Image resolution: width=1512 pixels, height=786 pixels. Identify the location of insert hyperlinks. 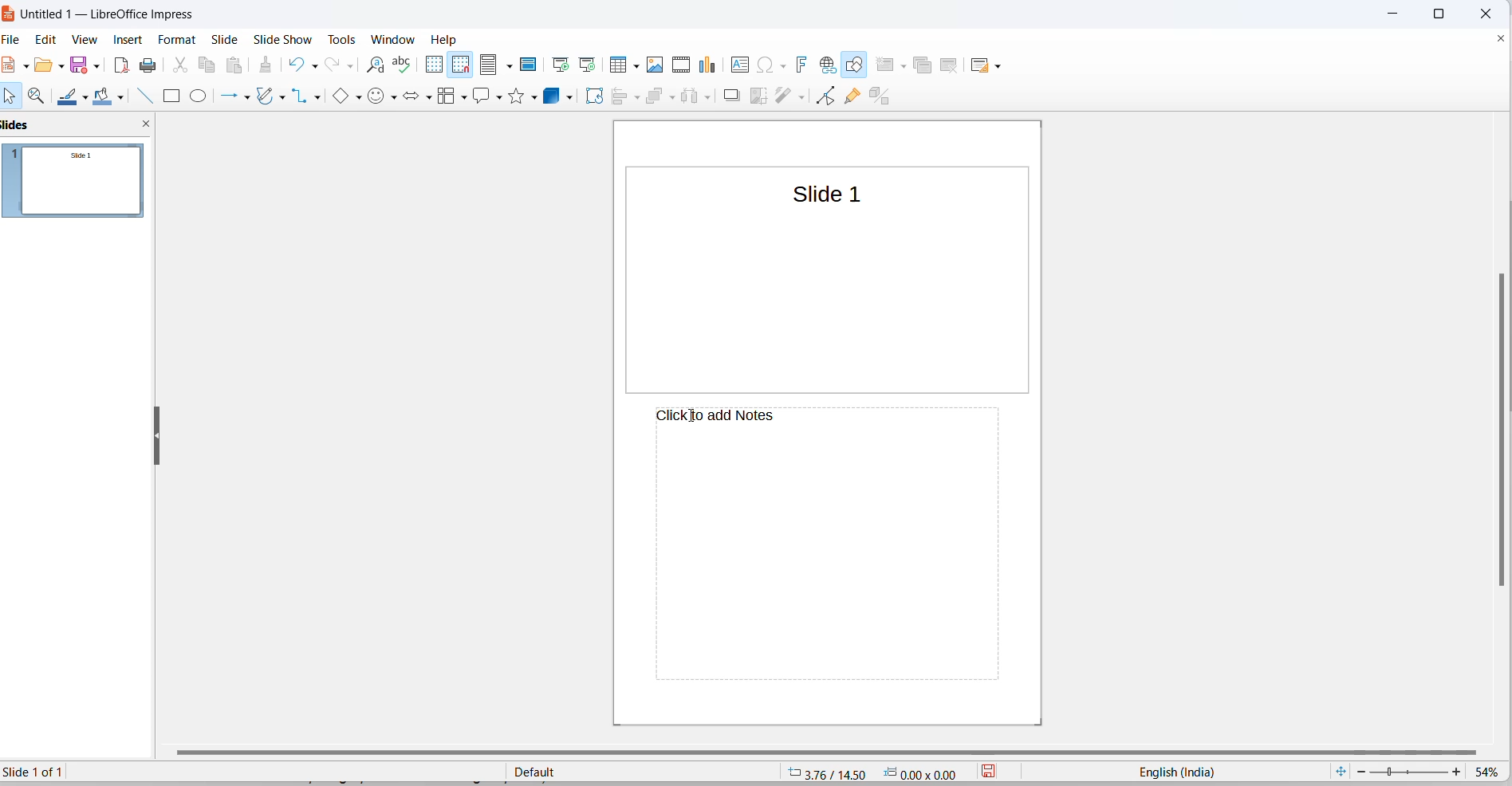
(829, 64).